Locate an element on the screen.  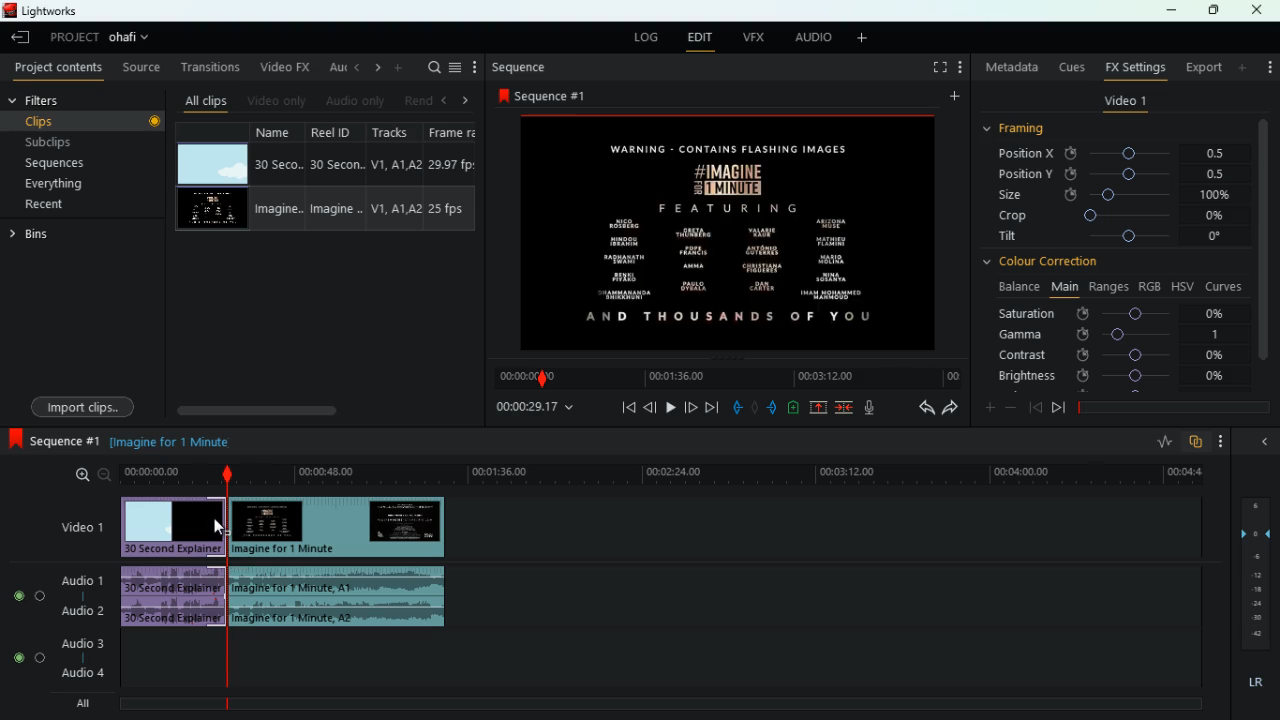
everything is located at coordinates (71, 184).